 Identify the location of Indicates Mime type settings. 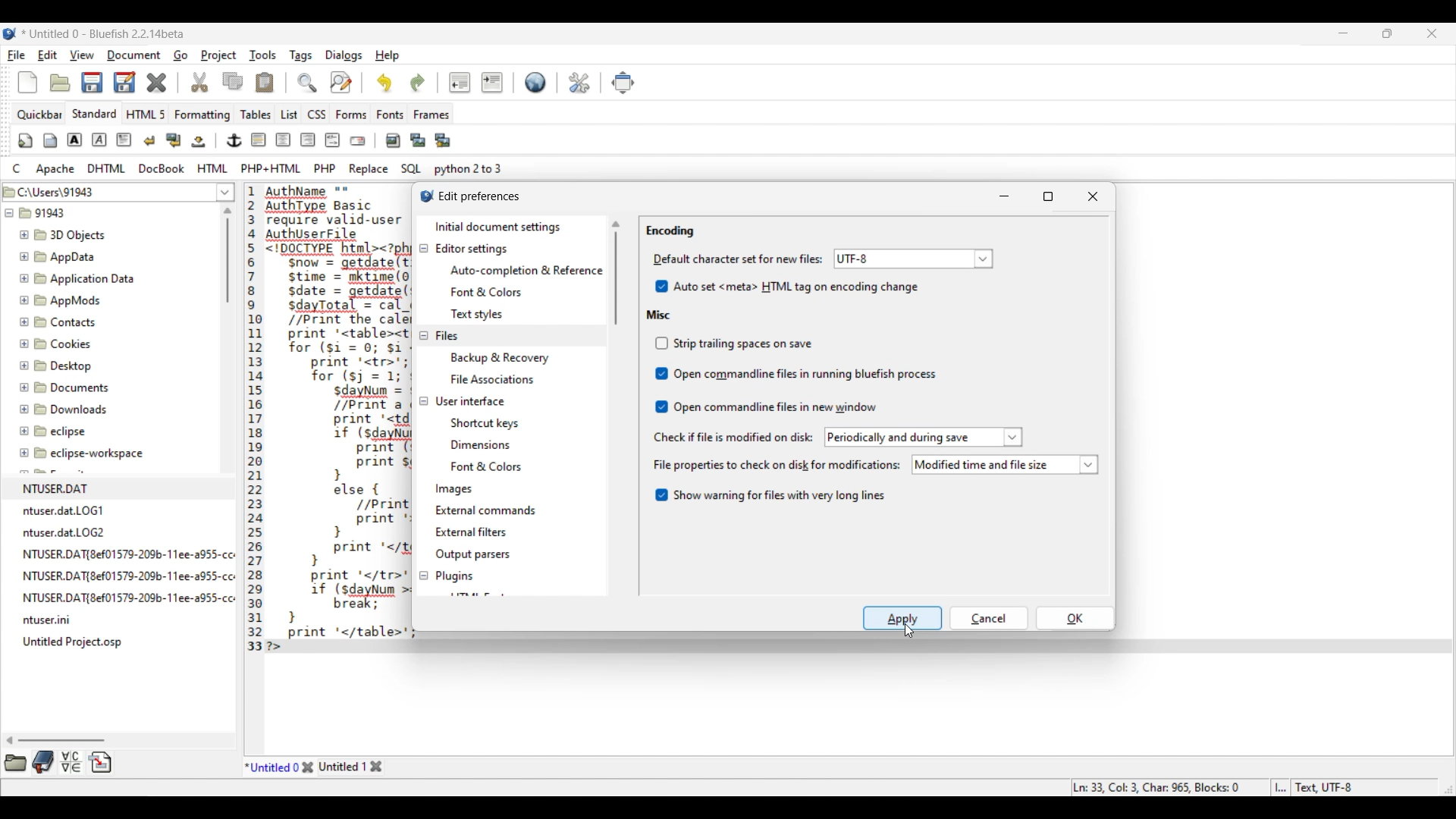
(739, 258).